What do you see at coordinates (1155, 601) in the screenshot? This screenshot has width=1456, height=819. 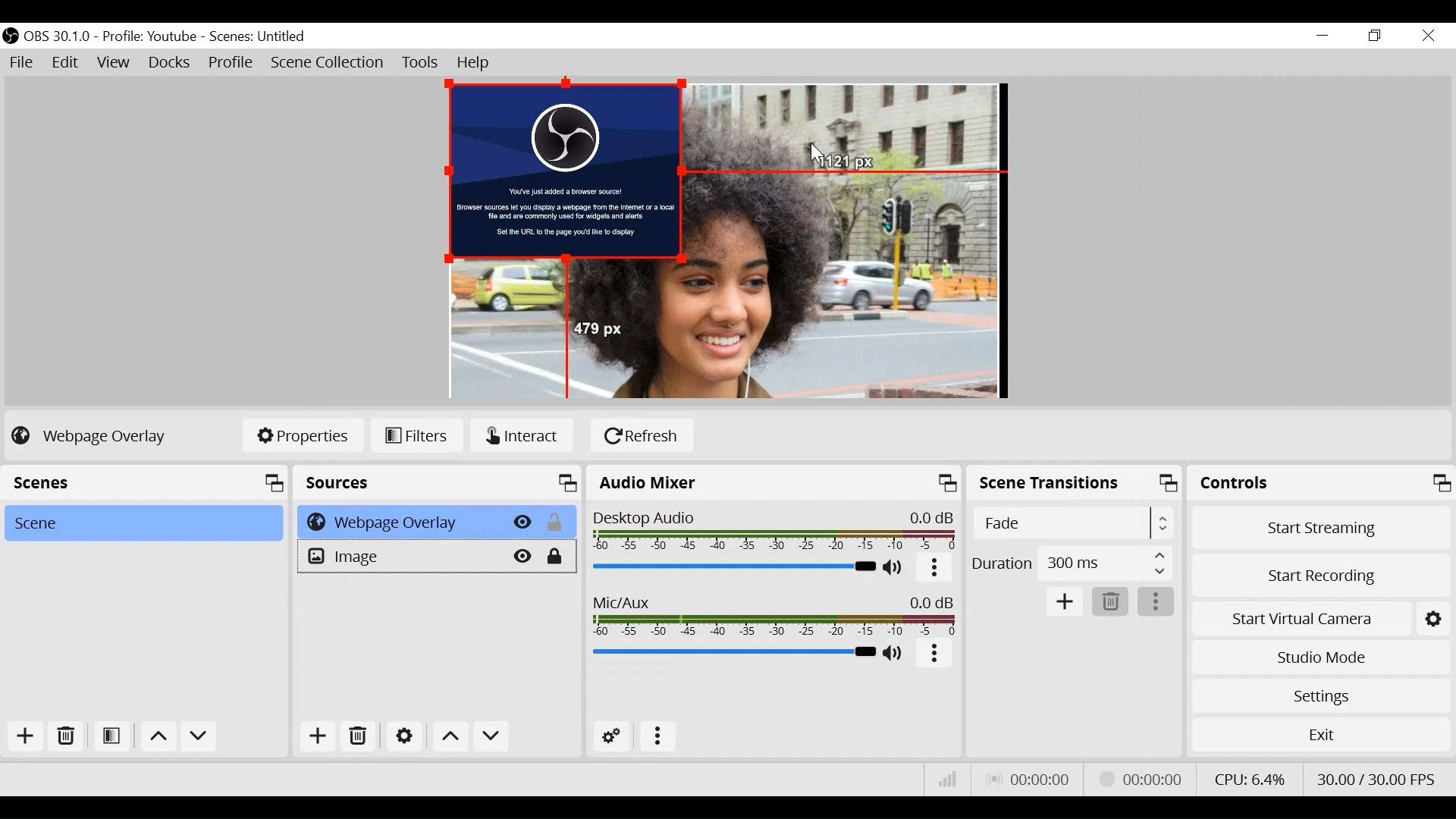 I see `More Options` at bounding box center [1155, 601].